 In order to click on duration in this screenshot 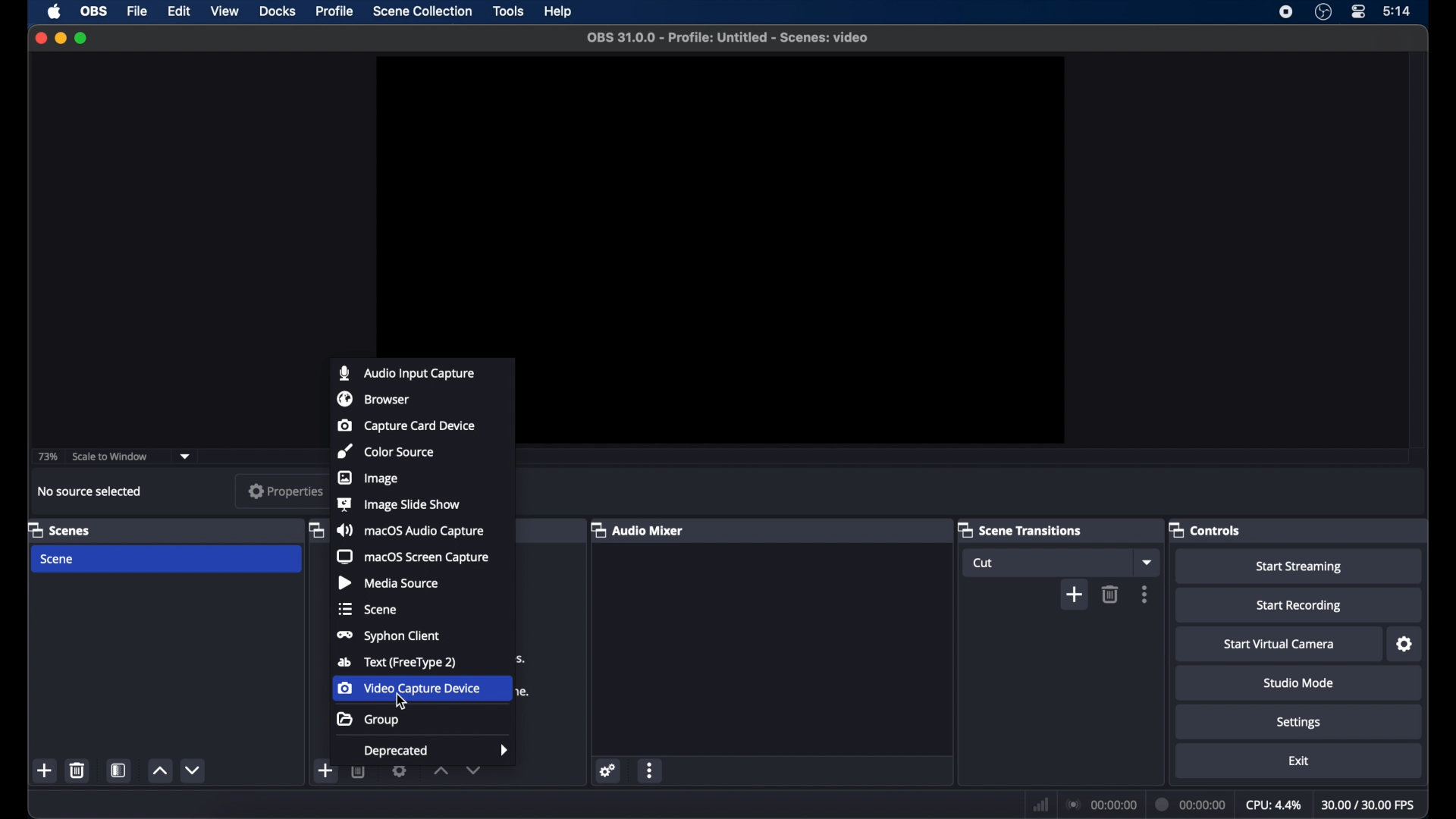, I will do `click(1191, 803)`.